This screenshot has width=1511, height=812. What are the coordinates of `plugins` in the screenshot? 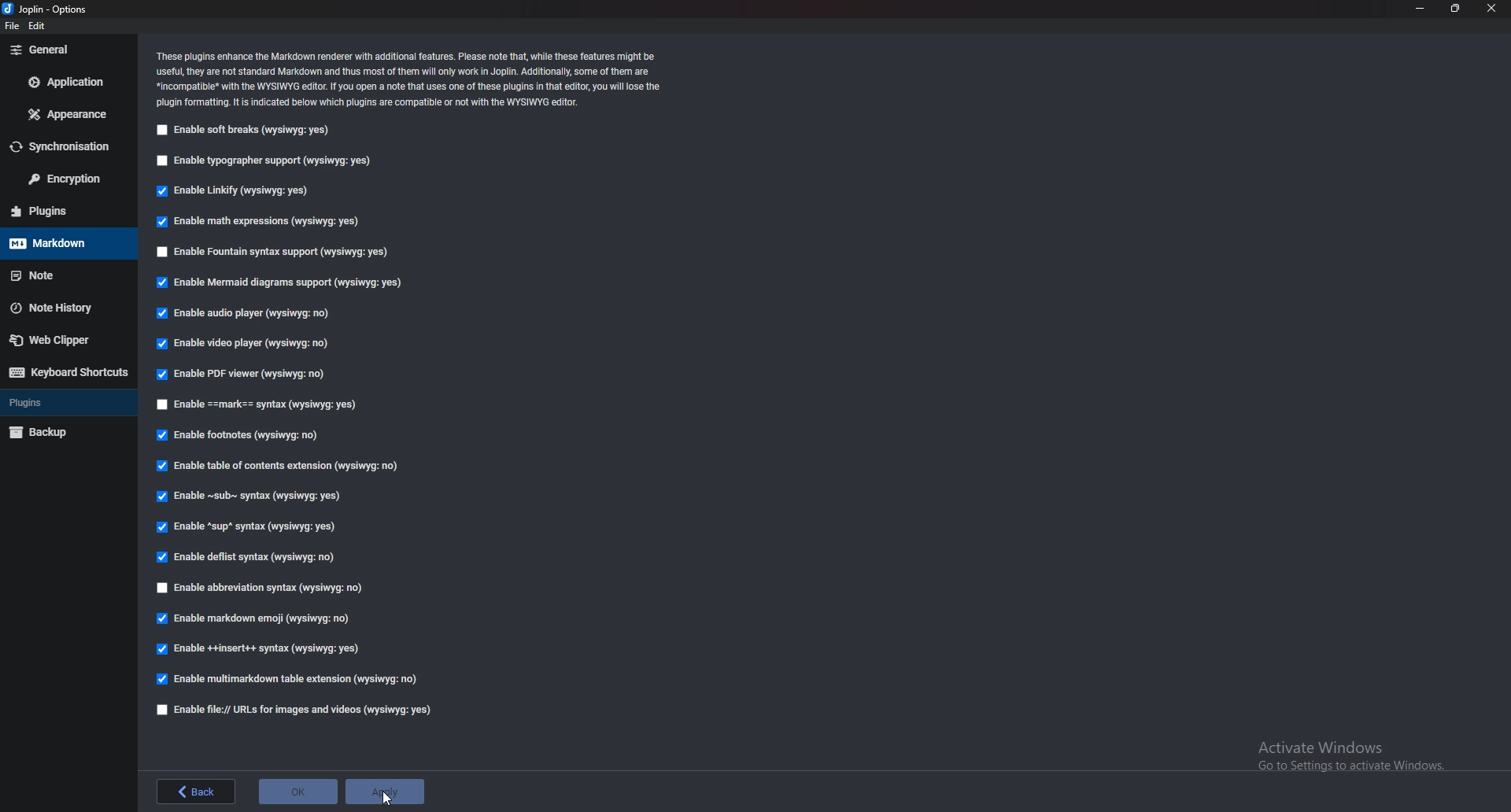 It's located at (65, 210).